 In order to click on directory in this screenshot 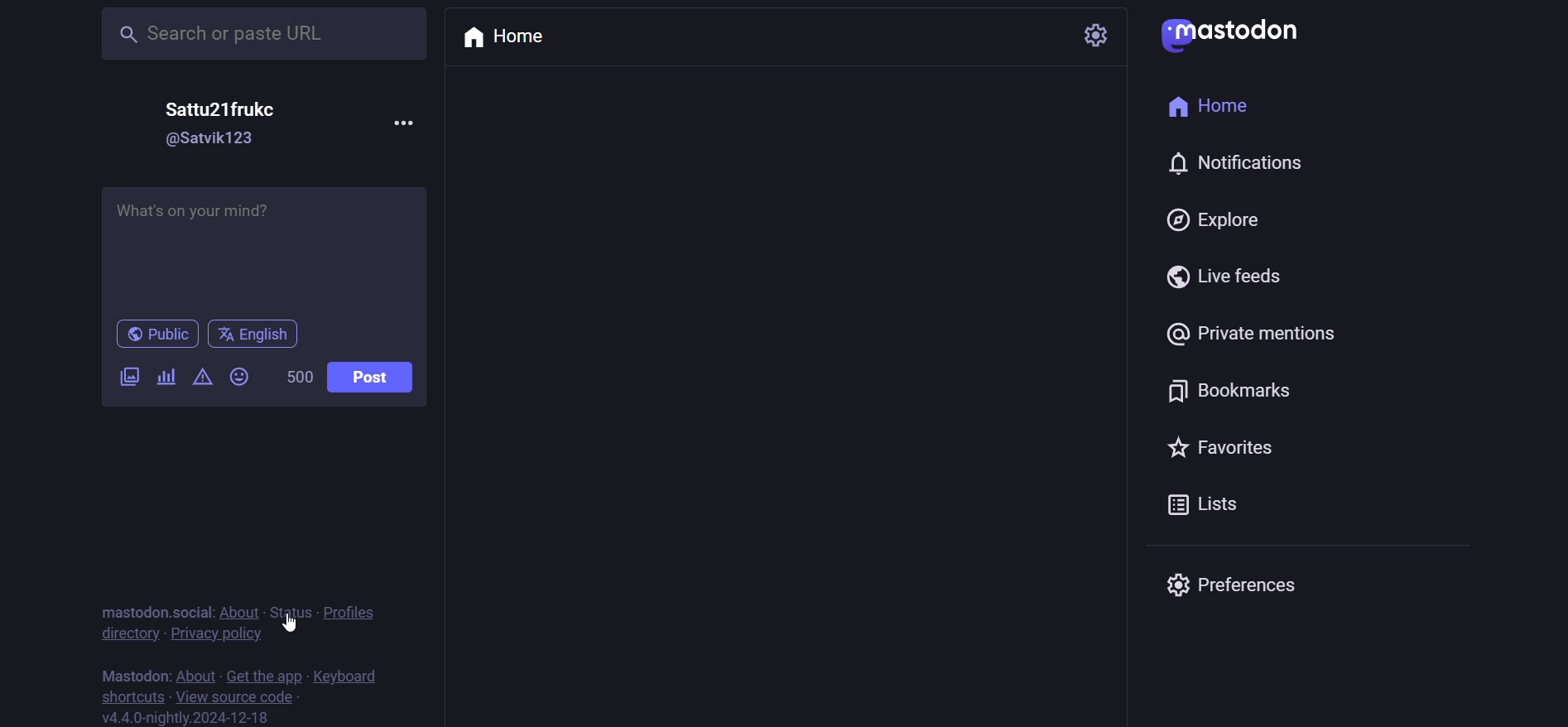, I will do `click(128, 632)`.